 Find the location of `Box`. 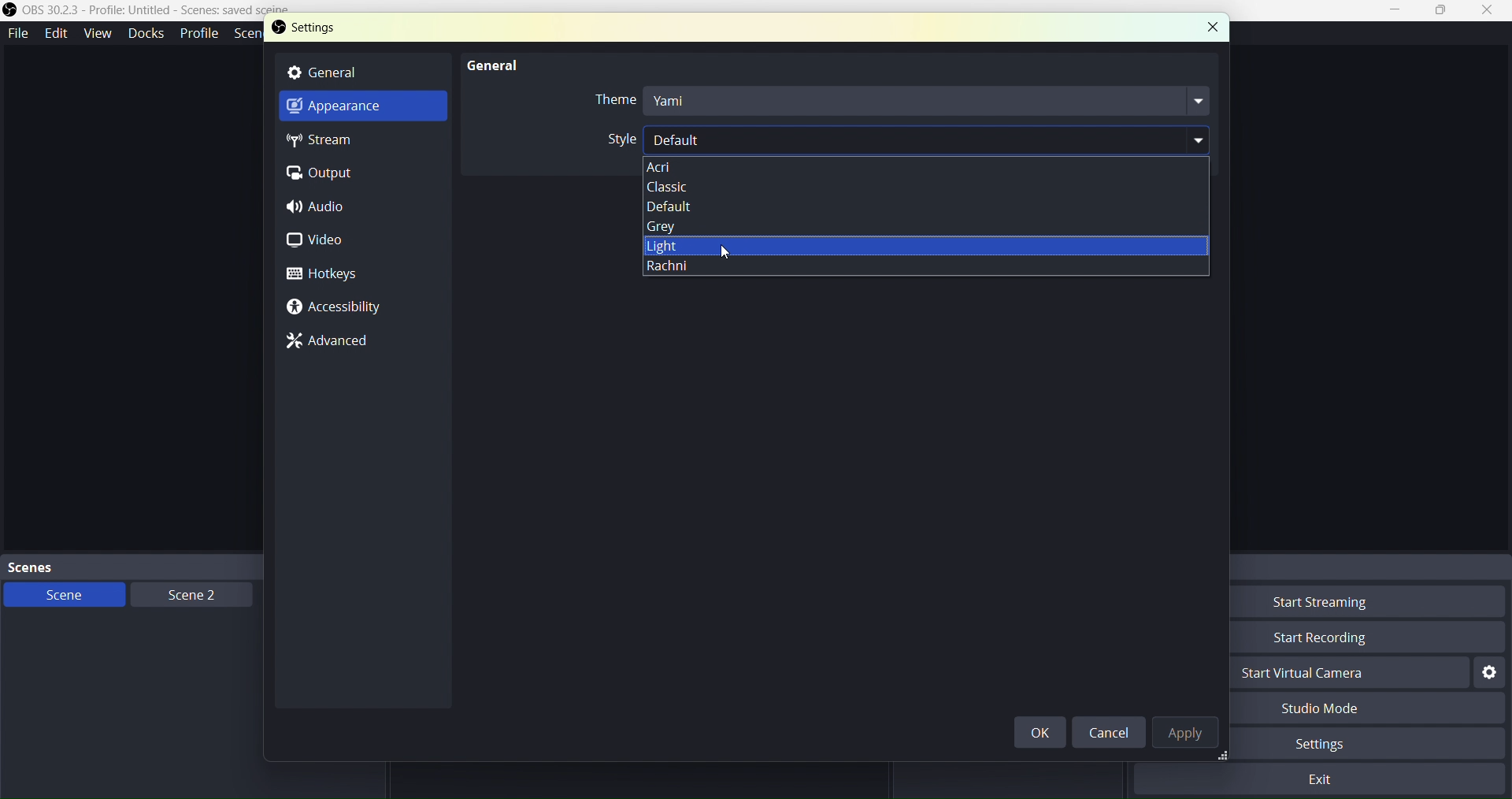

Box is located at coordinates (1443, 11).